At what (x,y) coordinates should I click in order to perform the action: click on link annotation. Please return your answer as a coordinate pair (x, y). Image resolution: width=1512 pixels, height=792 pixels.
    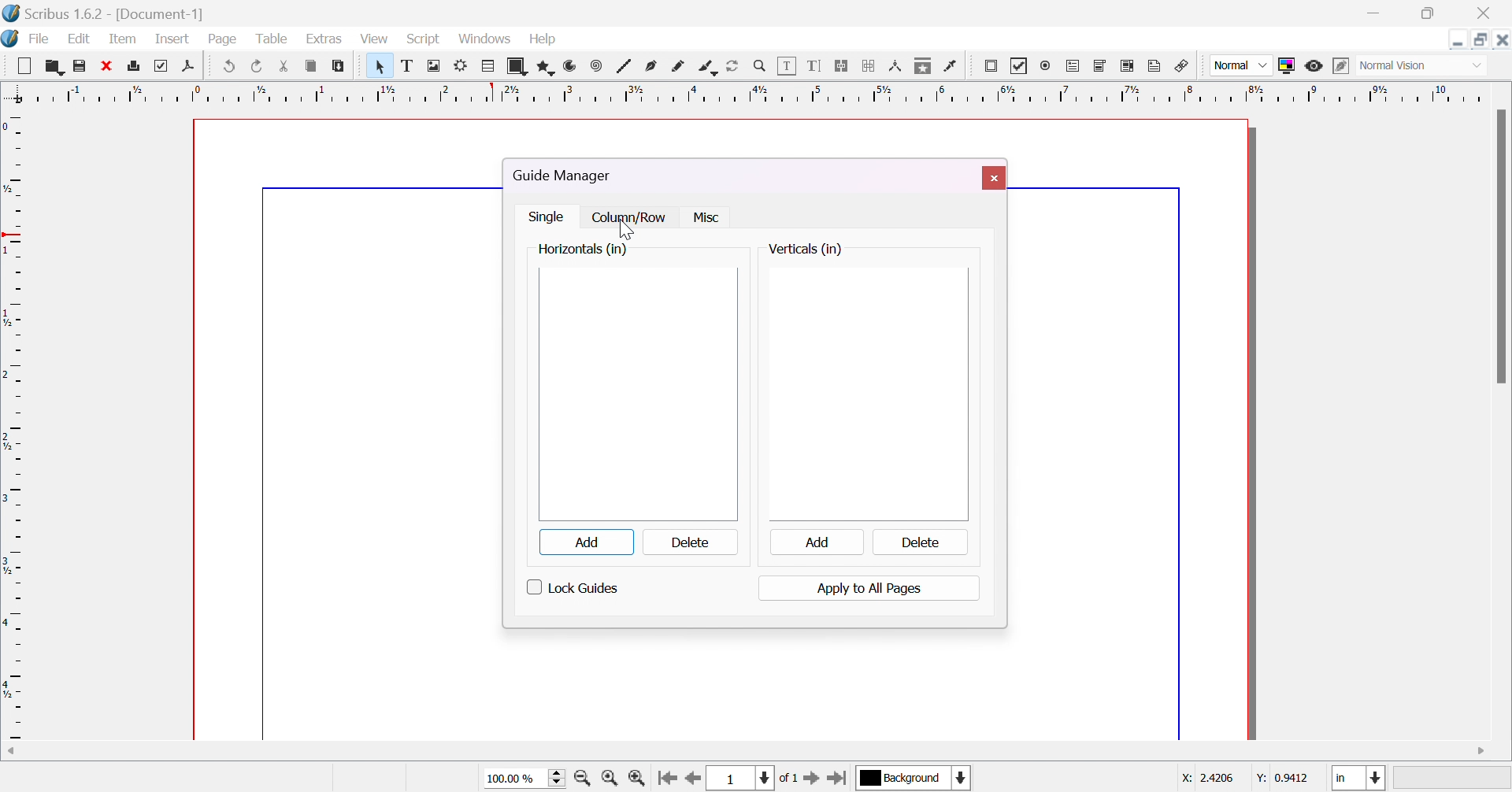
    Looking at the image, I should click on (1184, 67).